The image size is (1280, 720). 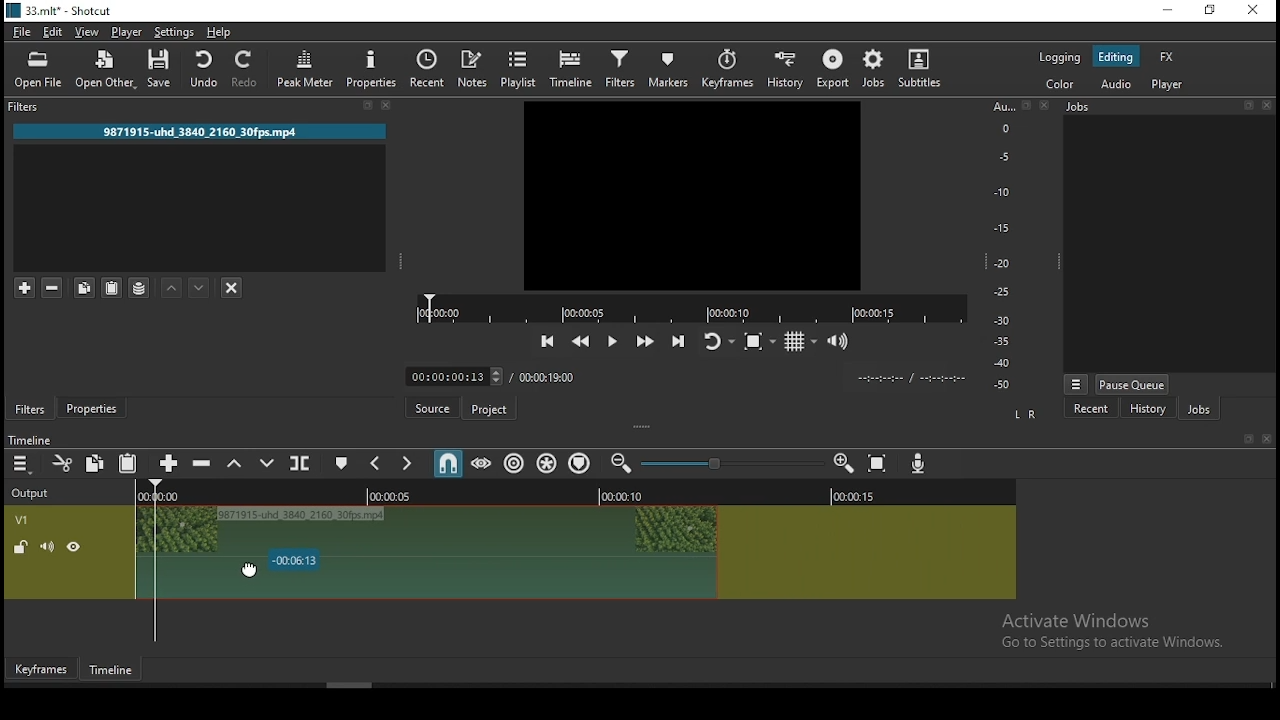 I want to click on create/edit marker, so click(x=343, y=464).